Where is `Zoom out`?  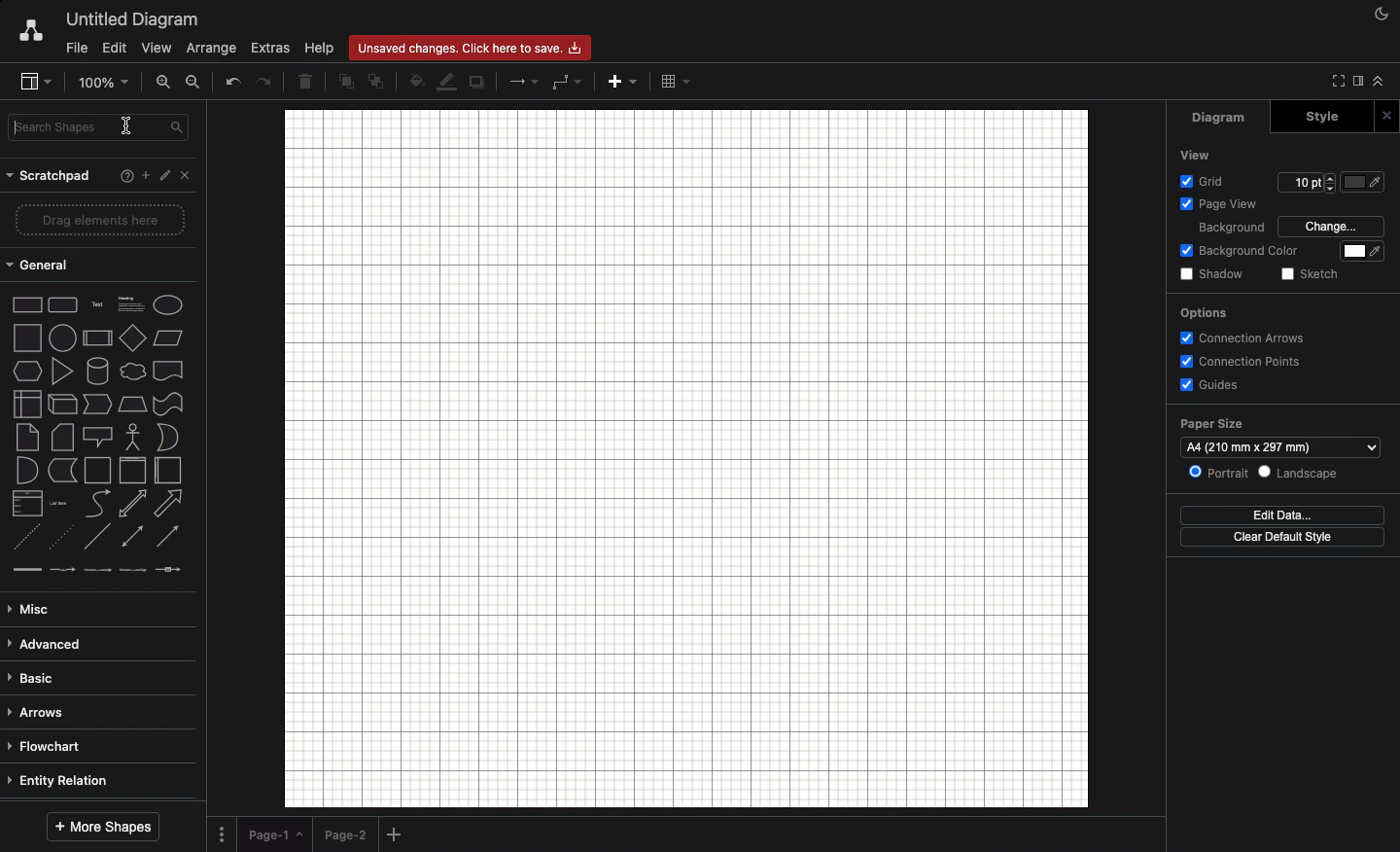
Zoom out is located at coordinates (194, 82).